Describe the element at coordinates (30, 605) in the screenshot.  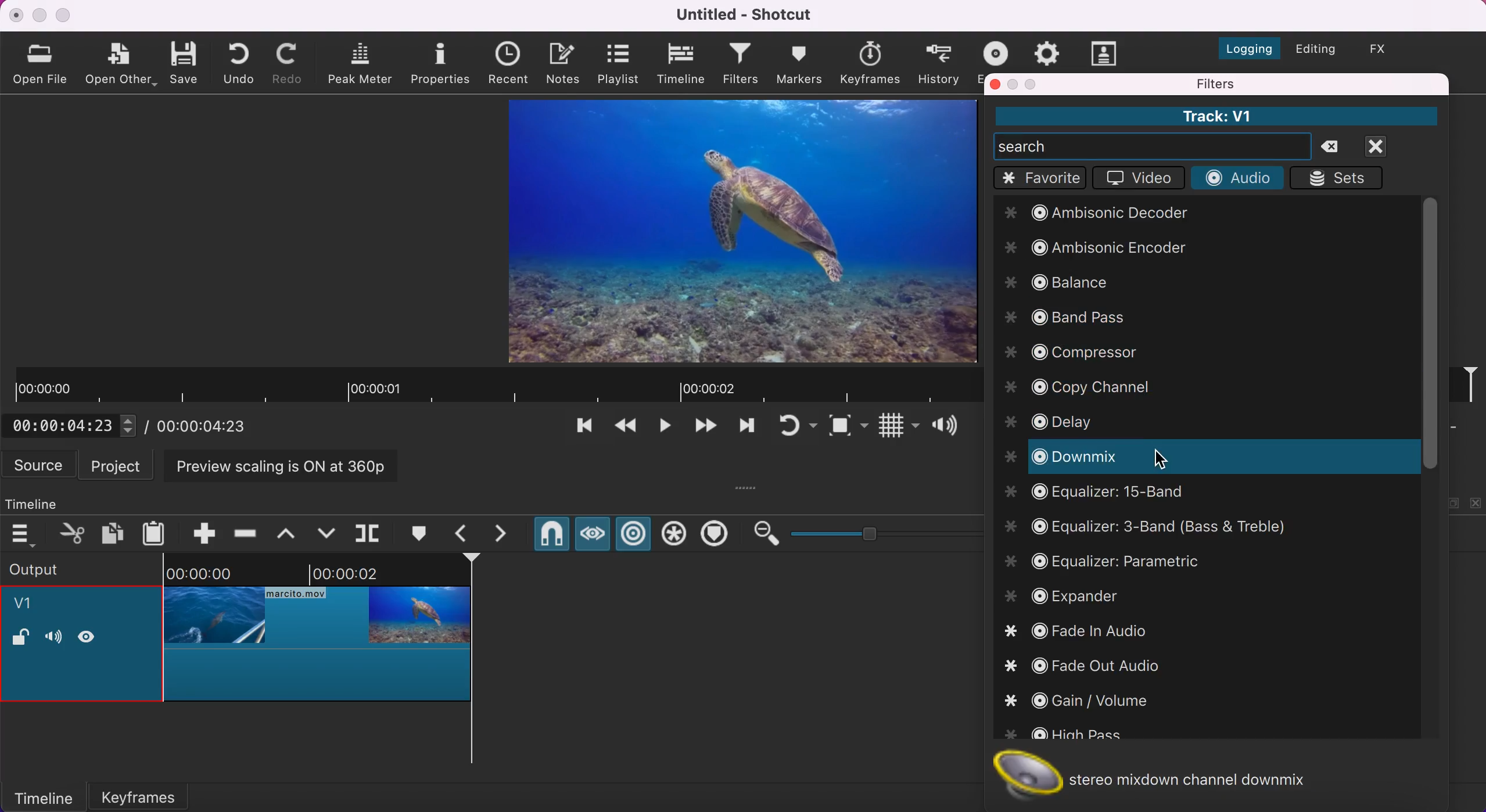
I see `v1` at that location.